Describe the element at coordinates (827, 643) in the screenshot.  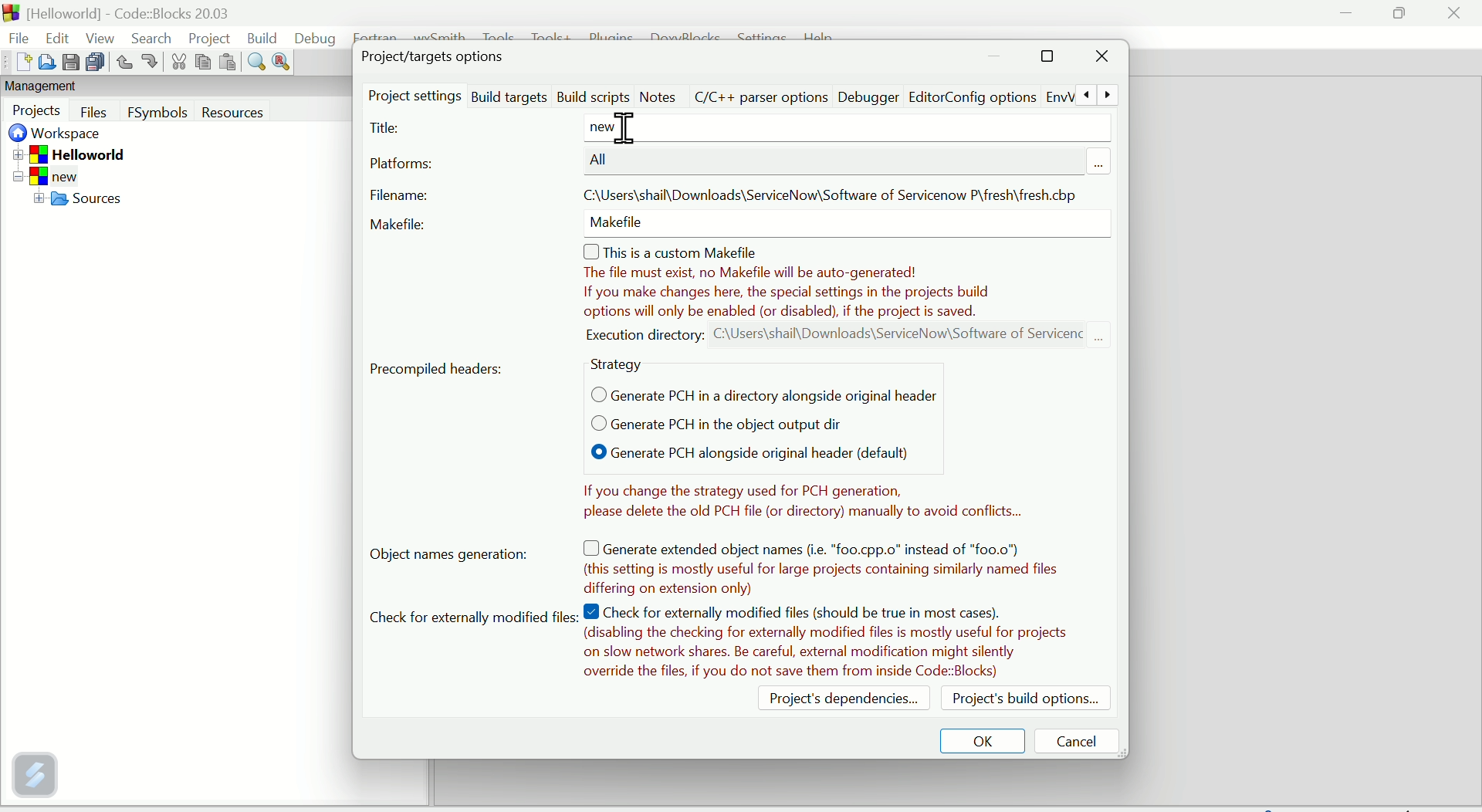
I see `Note` at that location.